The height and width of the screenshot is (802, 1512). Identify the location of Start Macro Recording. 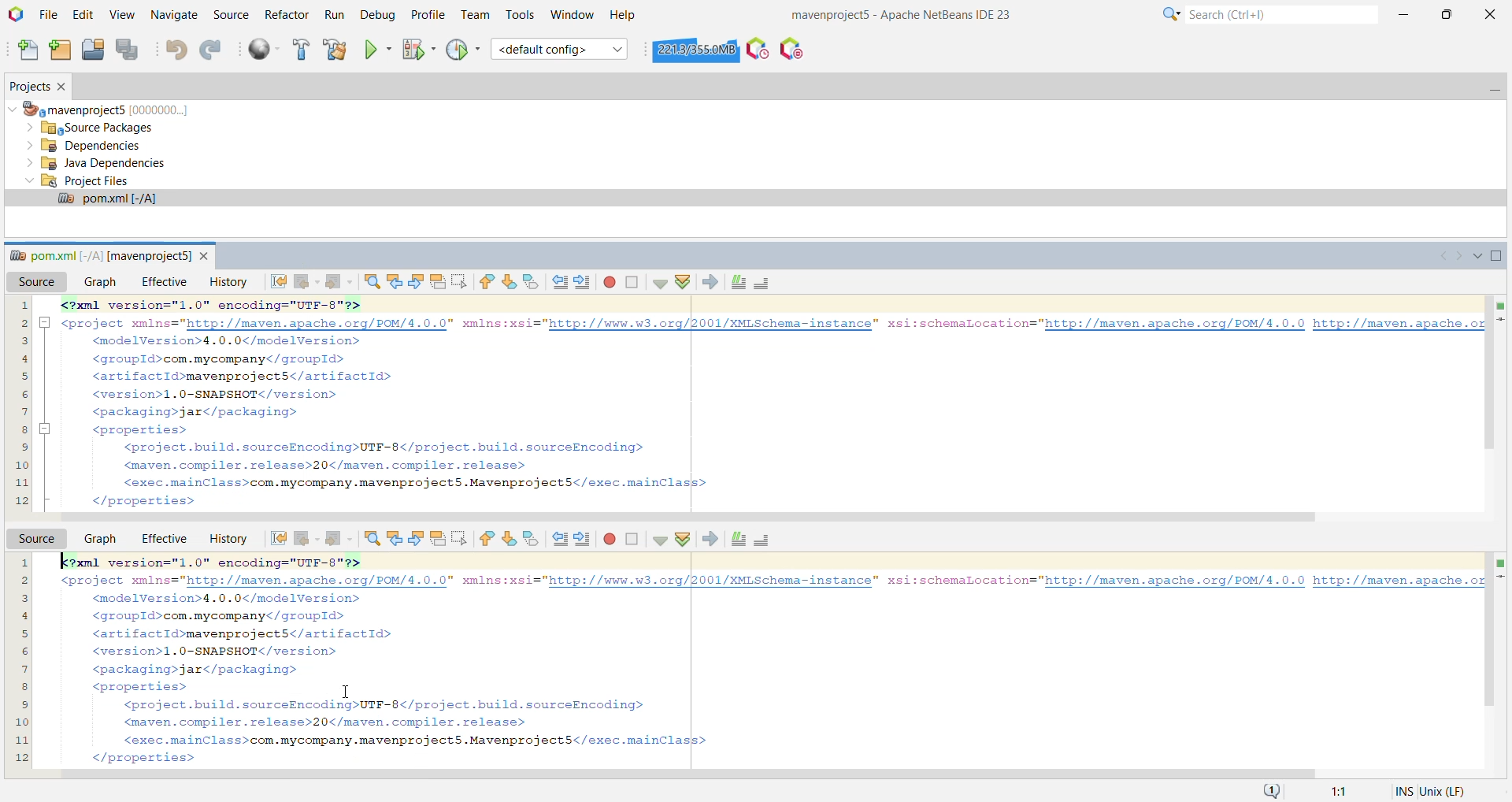
(609, 539).